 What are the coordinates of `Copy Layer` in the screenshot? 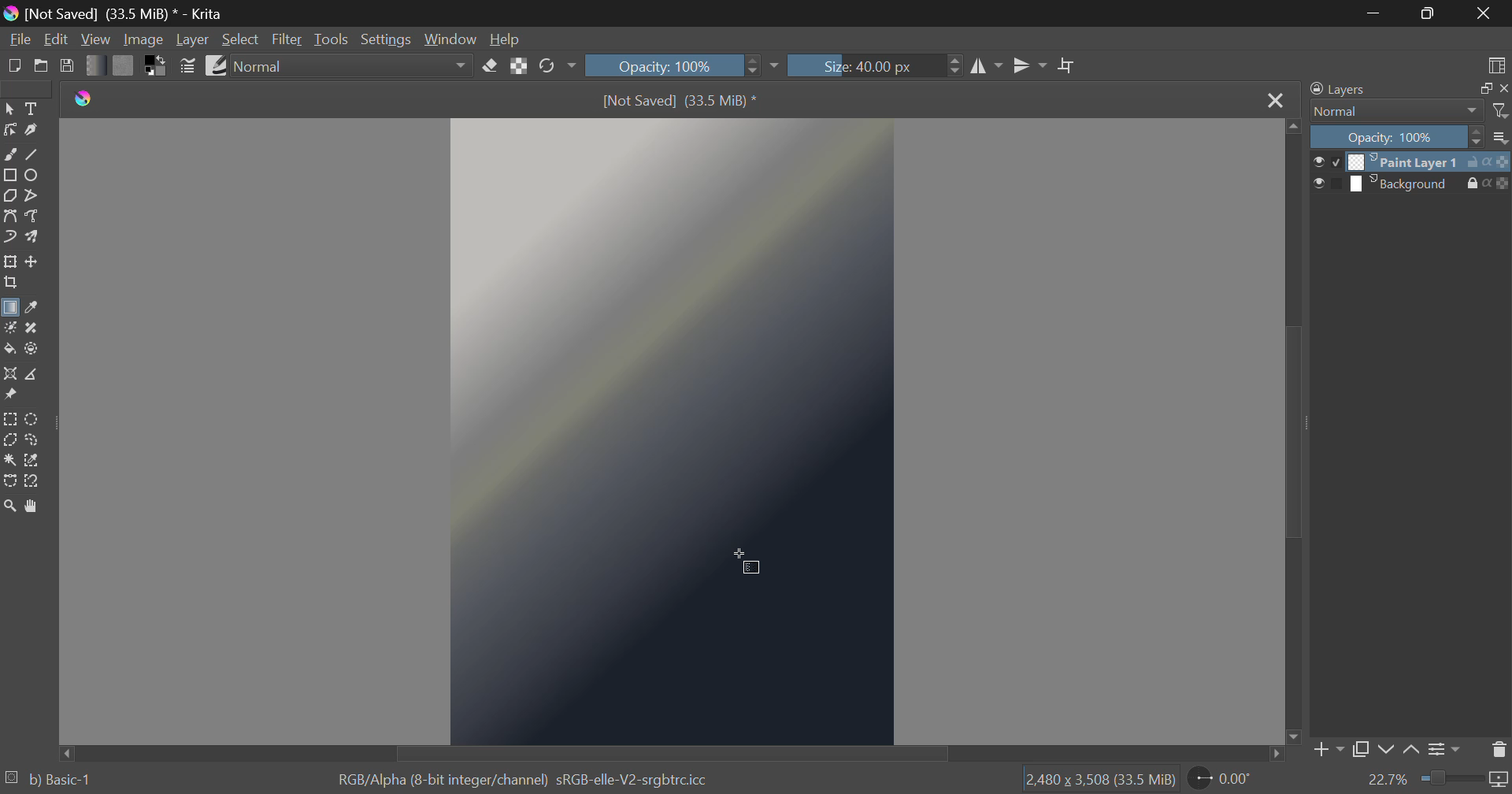 It's located at (1361, 752).